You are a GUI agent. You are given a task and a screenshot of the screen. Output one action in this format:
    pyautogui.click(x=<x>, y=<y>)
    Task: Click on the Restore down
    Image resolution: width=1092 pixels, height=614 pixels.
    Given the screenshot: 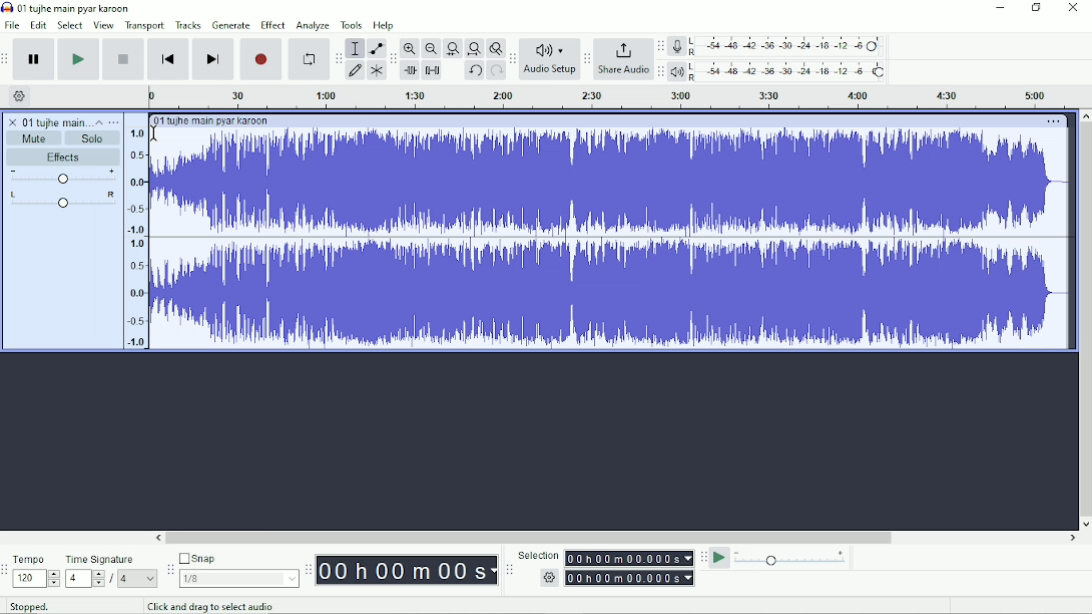 What is the action you would take?
    pyautogui.click(x=1036, y=8)
    